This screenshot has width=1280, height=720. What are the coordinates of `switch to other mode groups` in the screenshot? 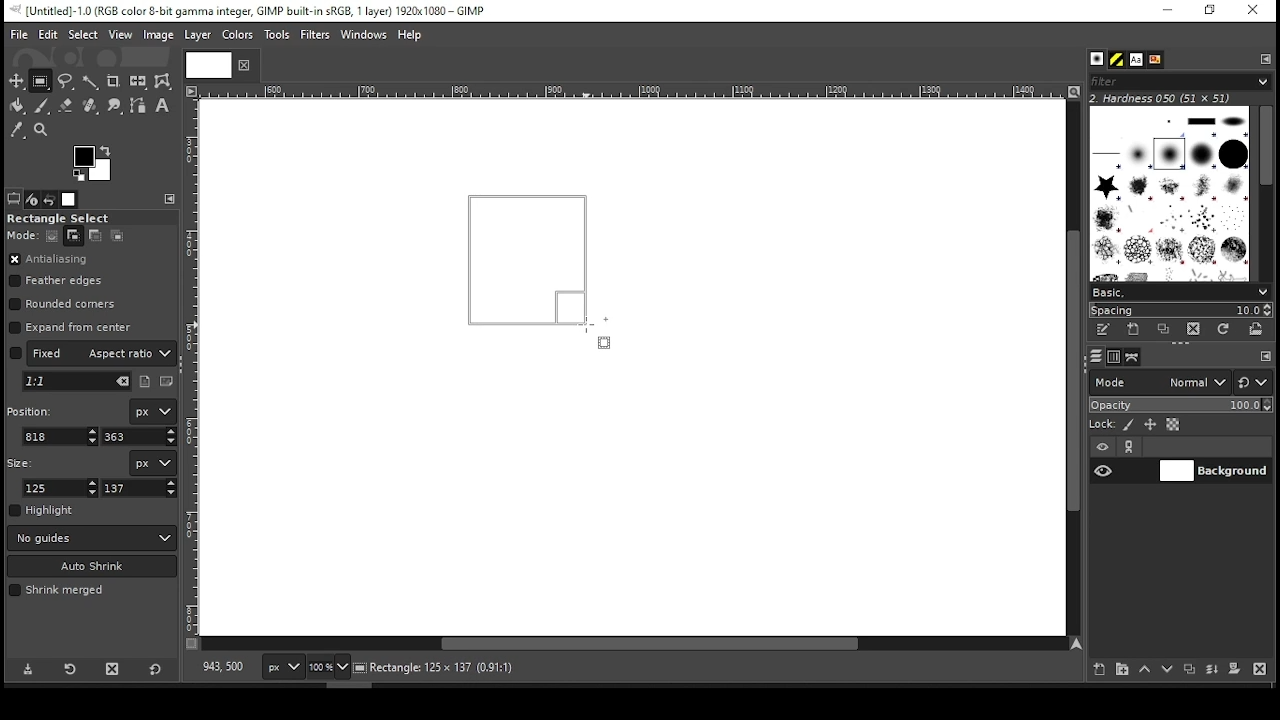 It's located at (1252, 384).